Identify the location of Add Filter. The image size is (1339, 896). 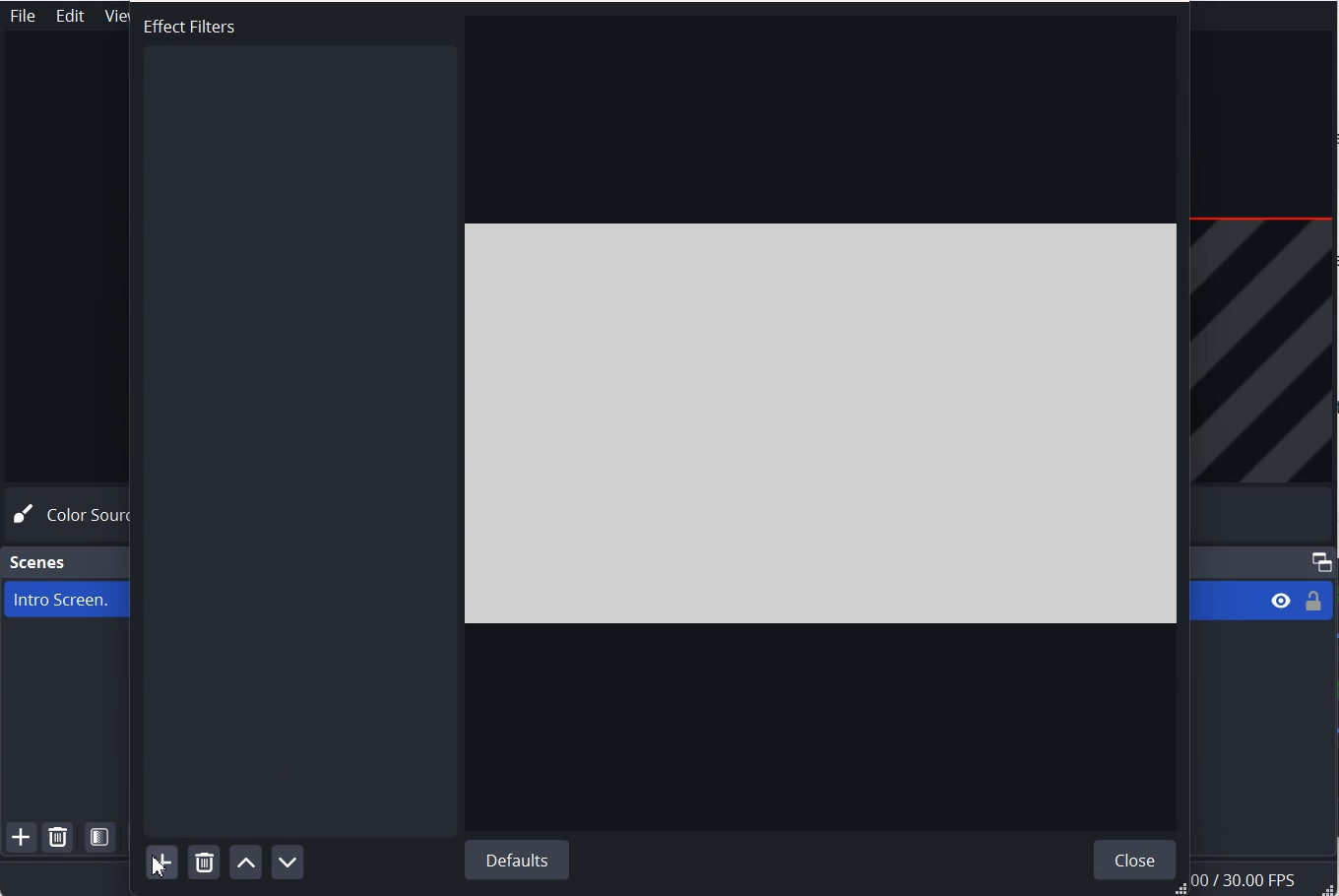
(161, 863).